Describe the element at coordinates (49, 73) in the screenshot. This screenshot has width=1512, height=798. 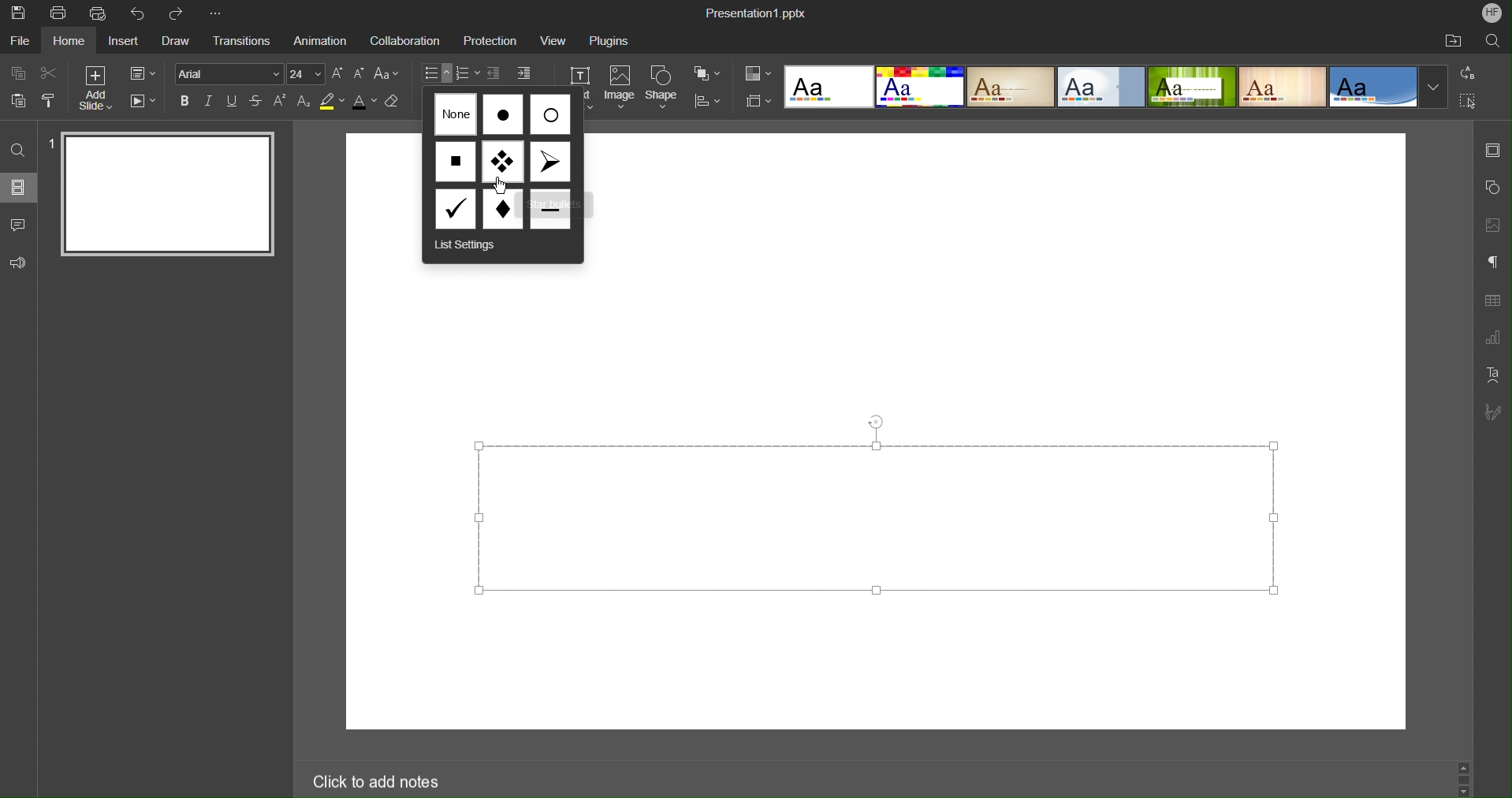
I see `Cut` at that location.